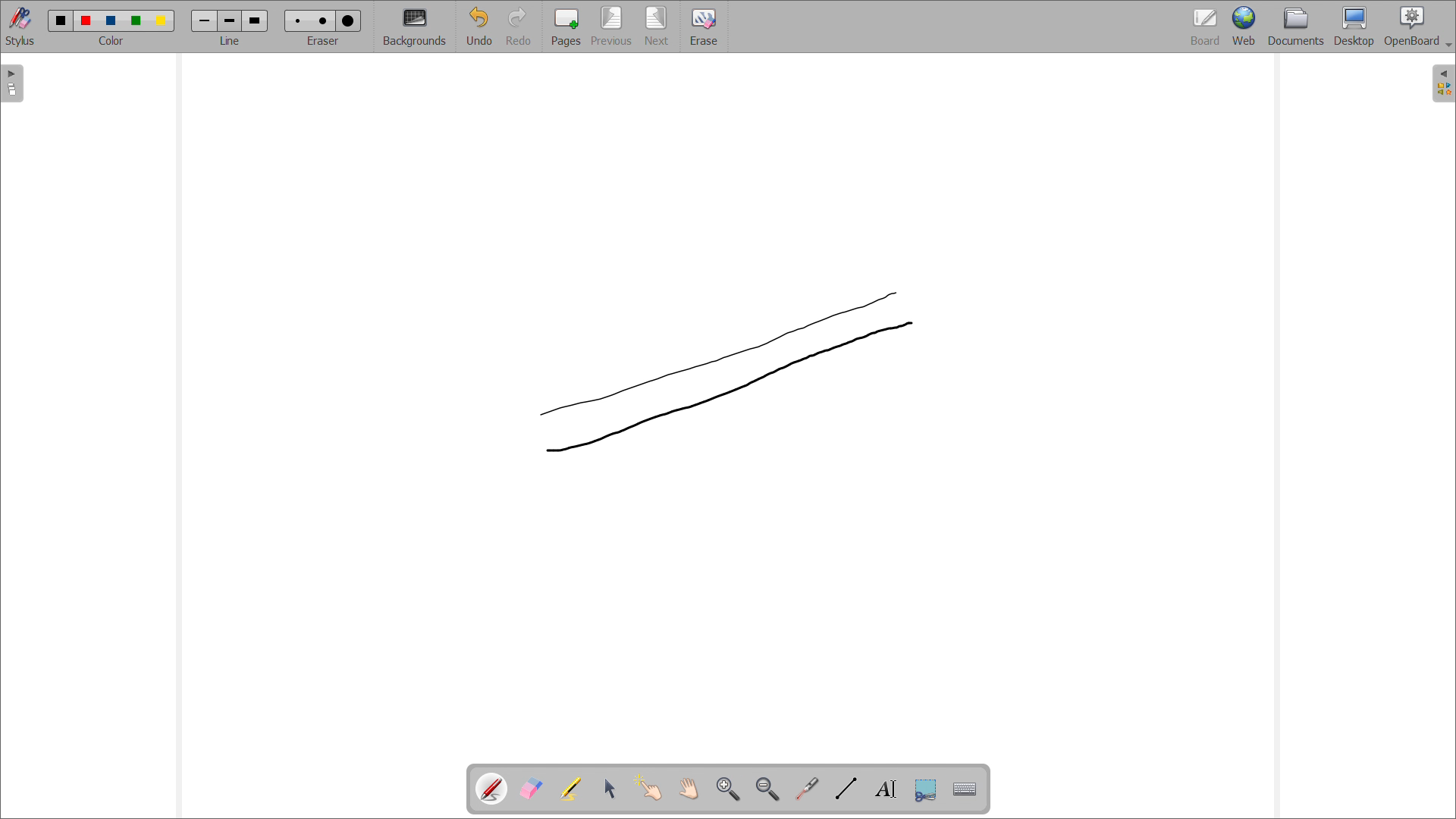 This screenshot has height=819, width=1456. I want to click on draw lines, so click(846, 789).